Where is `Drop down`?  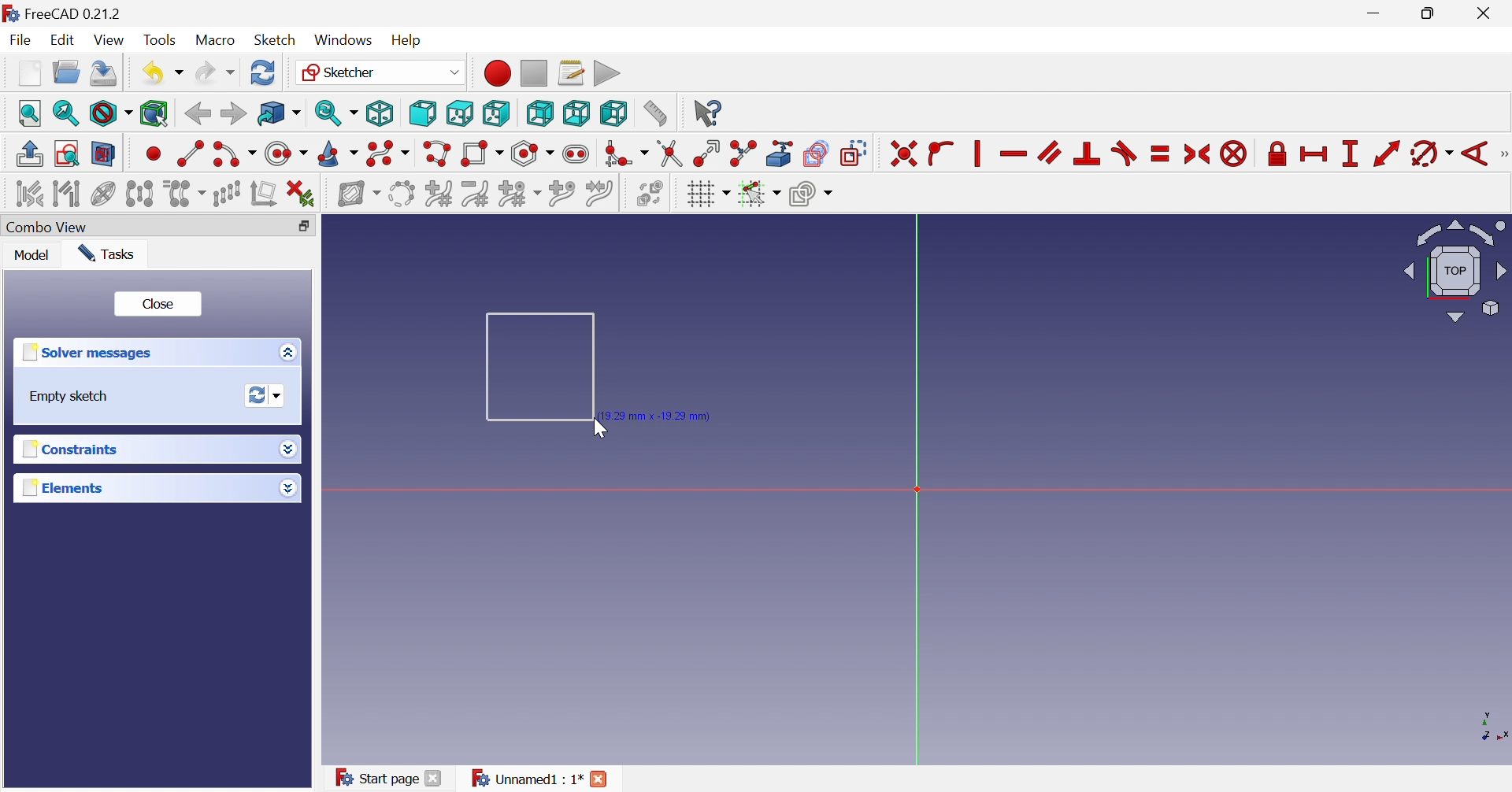 Drop down is located at coordinates (287, 447).